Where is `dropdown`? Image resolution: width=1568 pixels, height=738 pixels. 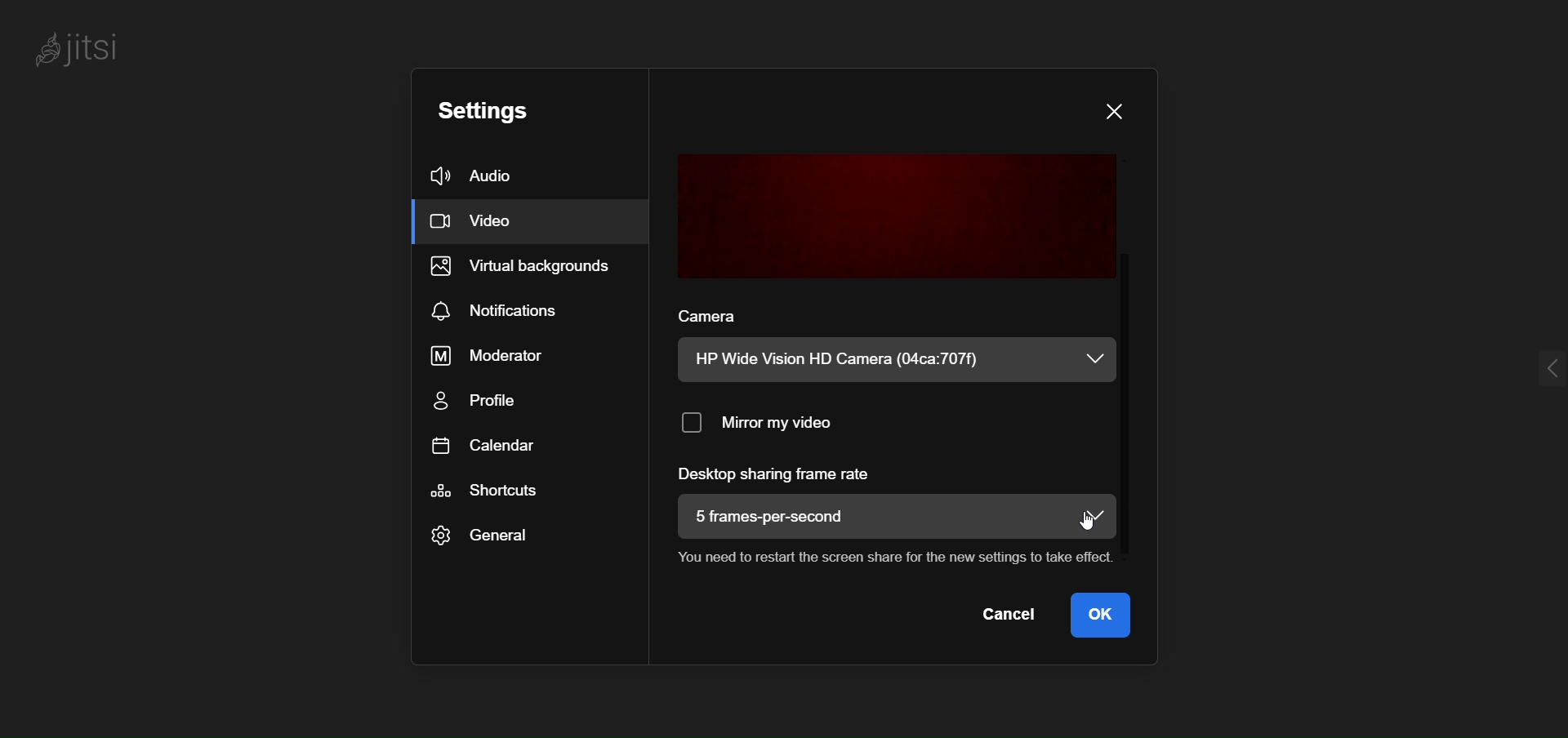 dropdown is located at coordinates (1094, 516).